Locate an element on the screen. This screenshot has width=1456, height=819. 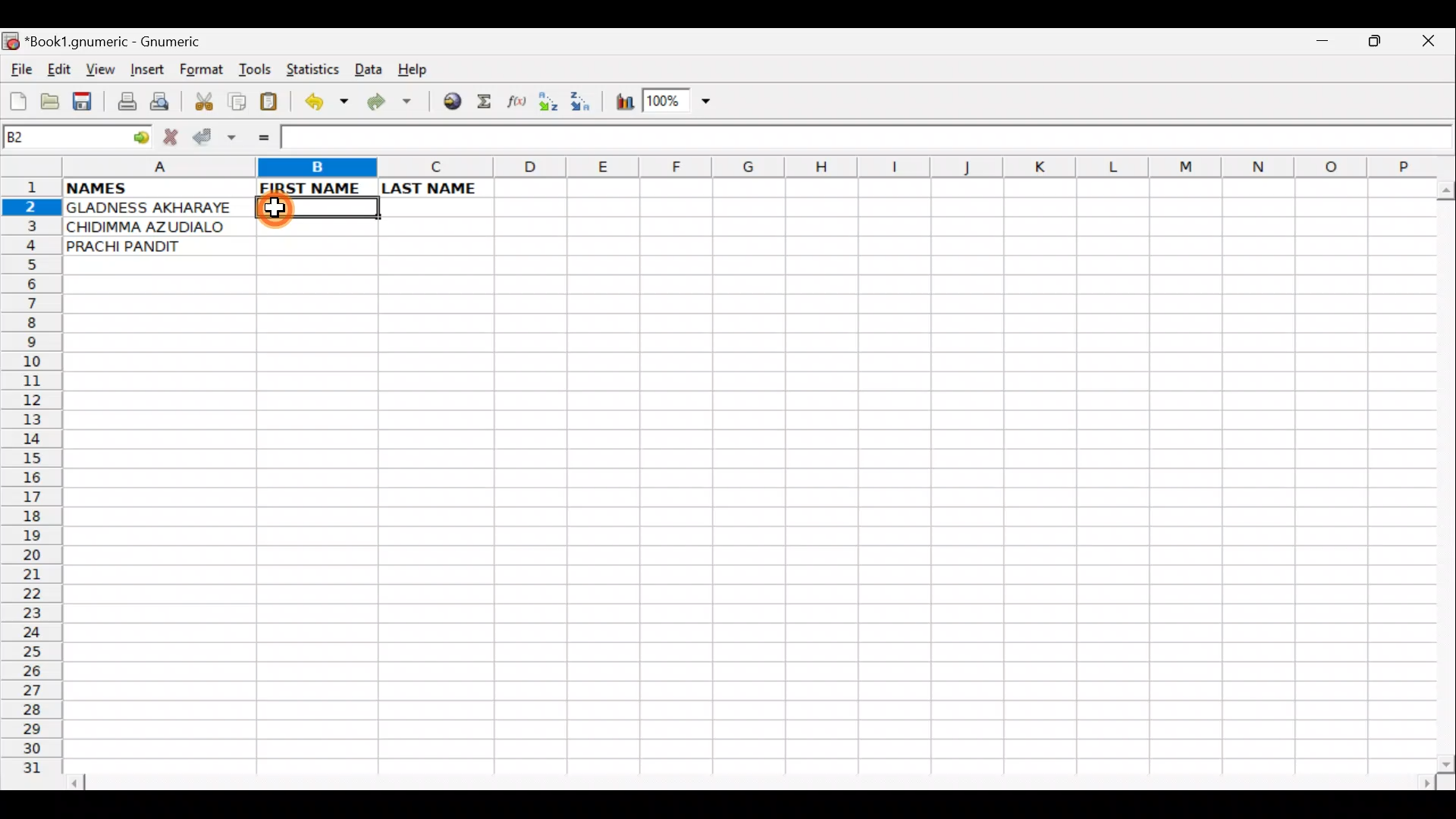
Redo undone action is located at coordinates (393, 104).